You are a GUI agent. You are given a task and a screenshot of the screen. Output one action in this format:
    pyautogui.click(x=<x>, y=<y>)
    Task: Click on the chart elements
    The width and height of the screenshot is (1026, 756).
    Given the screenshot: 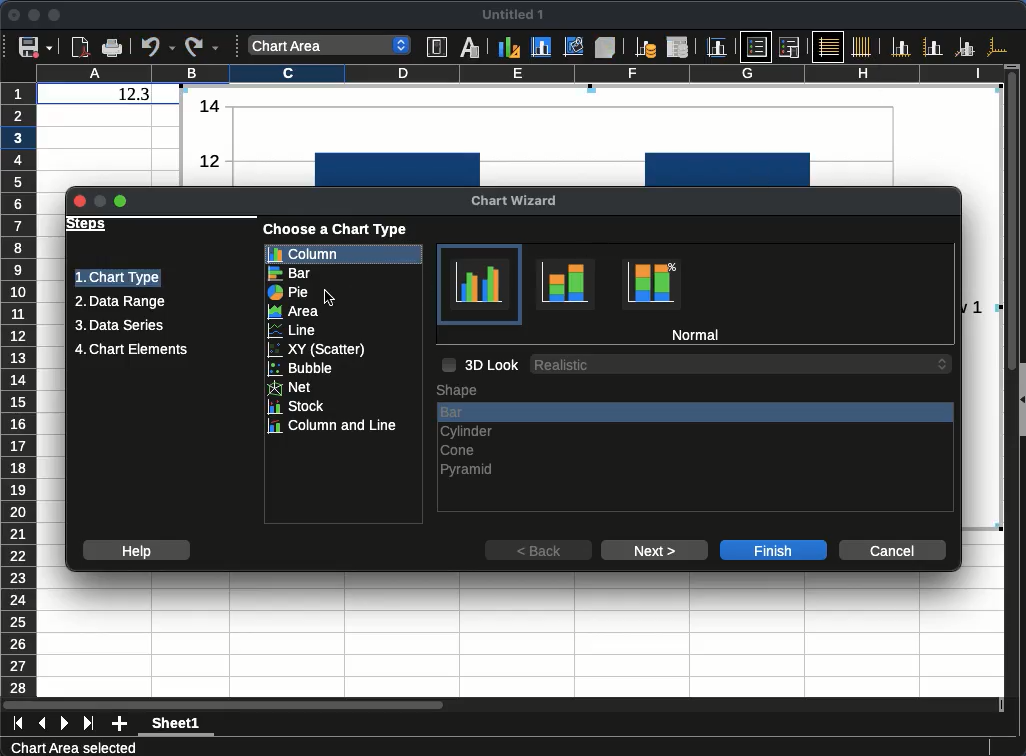 What is the action you would take?
    pyautogui.click(x=131, y=350)
    